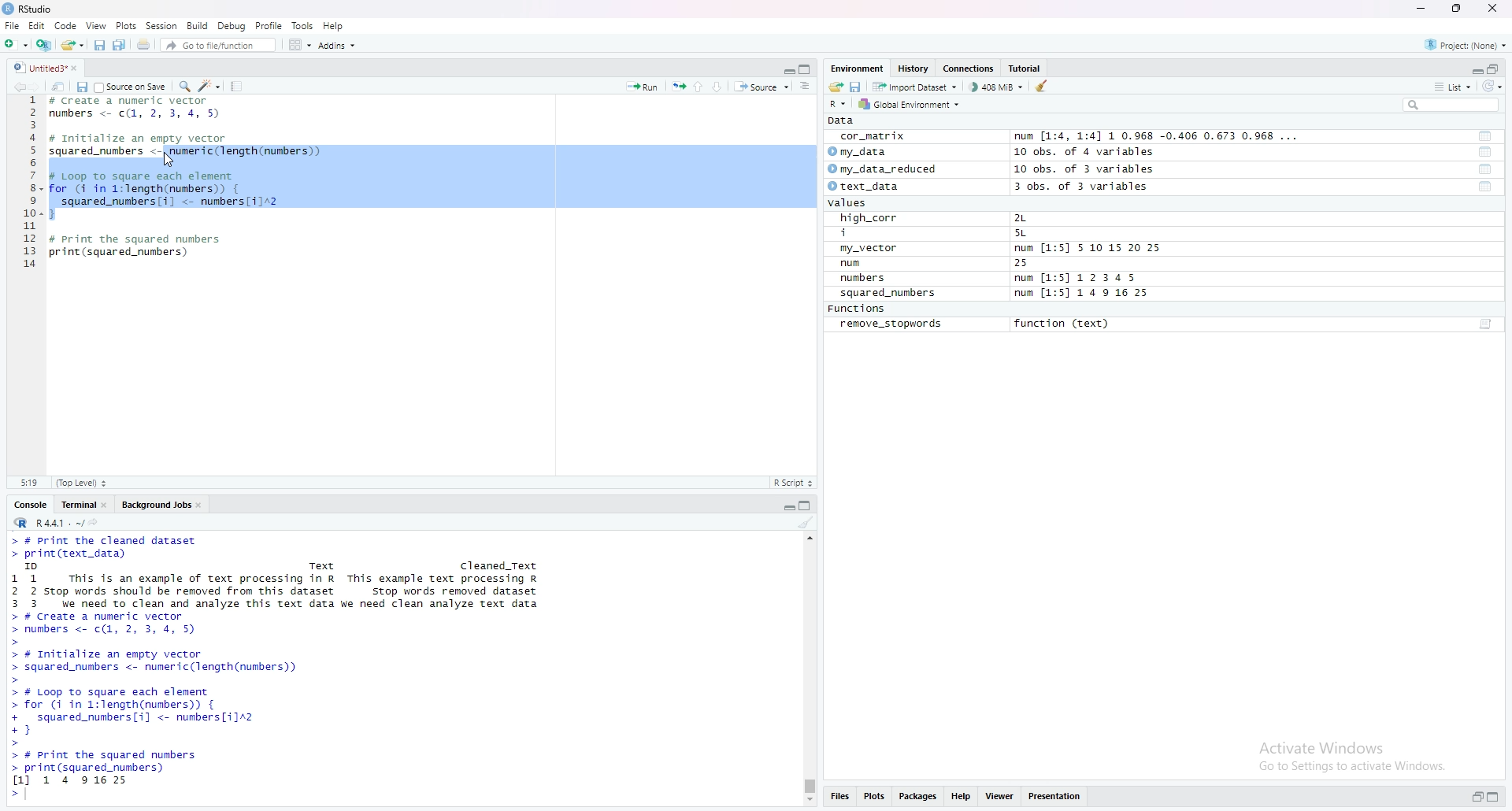 Image resolution: width=1512 pixels, height=811 pixels. What do you see at coordinates (1029, 218) in the screenshot?
I see `2L` at bounding box center [1029, 218].